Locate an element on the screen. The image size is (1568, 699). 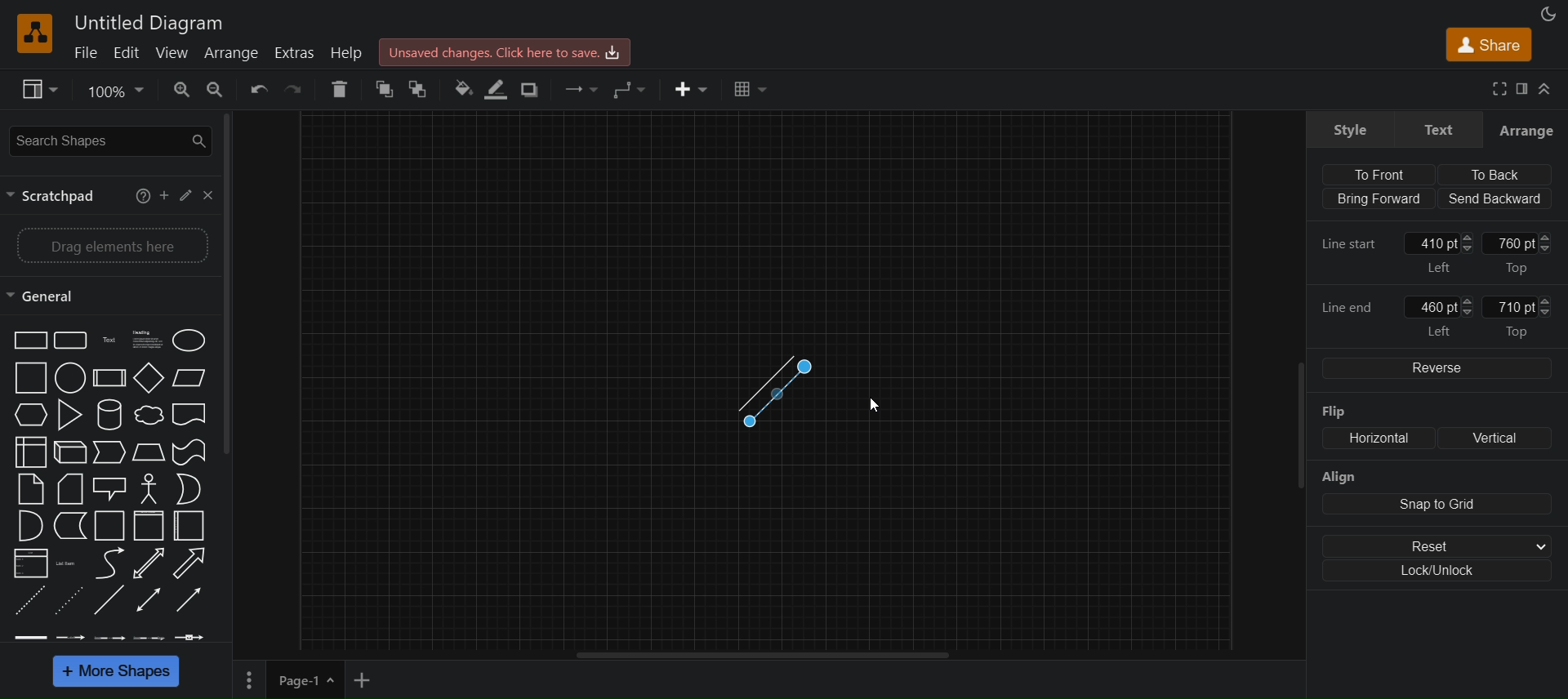
table is located at coordinates (755, 91).